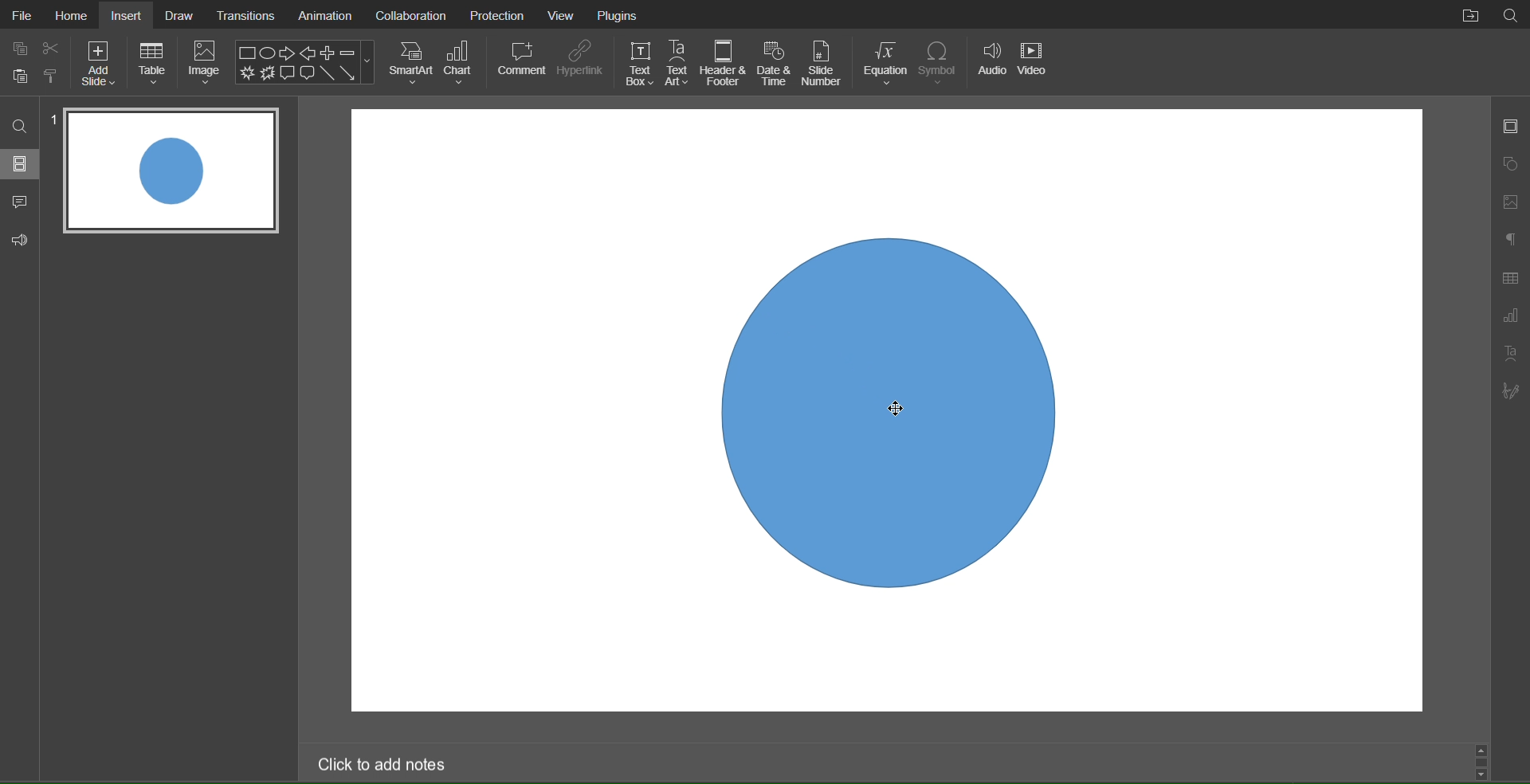 This screenshot has height=784, width=1530. What do you see at coordinates (885, 416) in the screenshot?
I see `Circle (solid fill)` at bounding box center [885, 416].